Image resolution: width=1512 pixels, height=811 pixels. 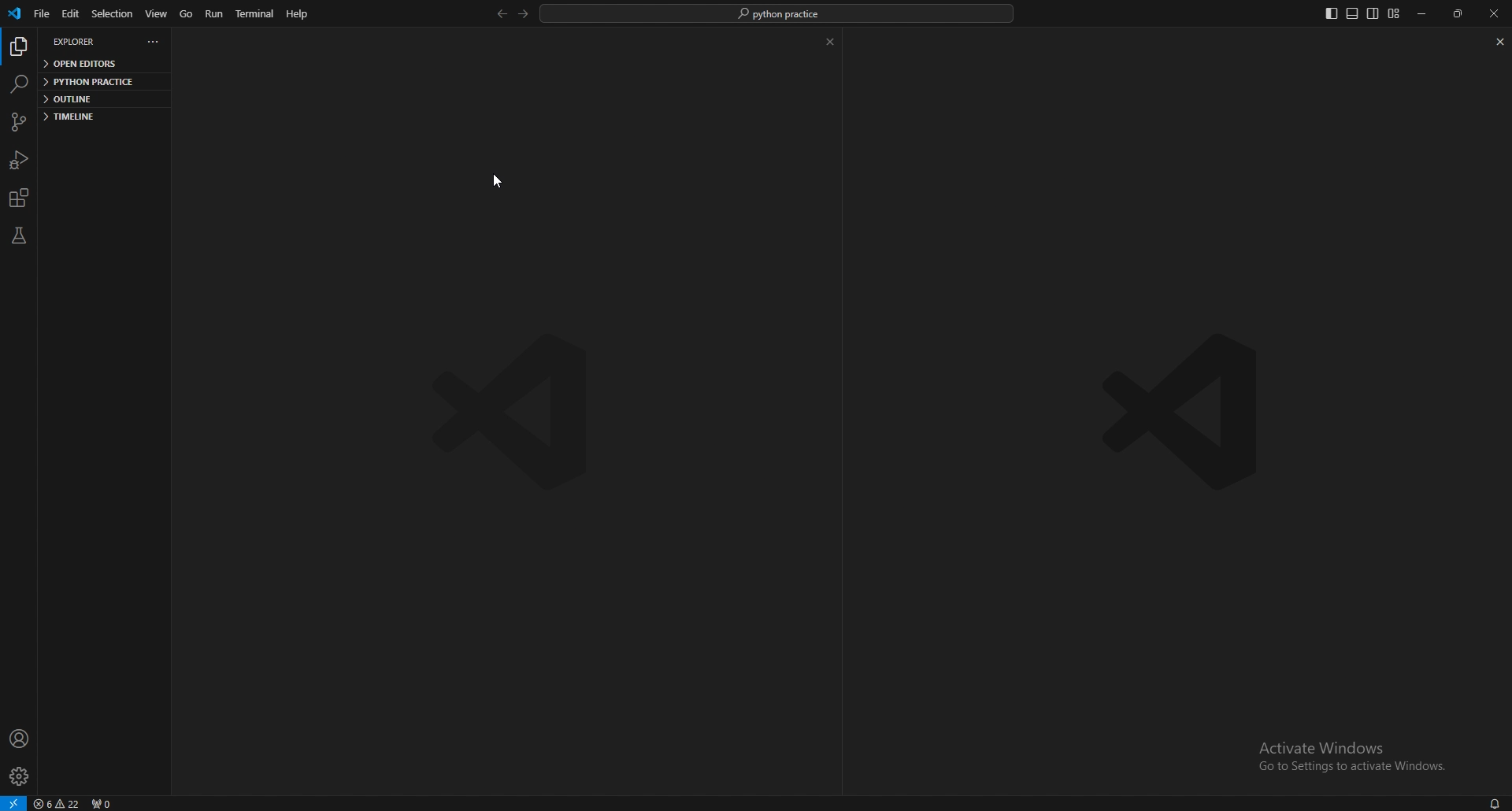 What do you see at coordinates (18, 161) in the screenshot?
I see `run and debug` at bounding box center [18, 161].